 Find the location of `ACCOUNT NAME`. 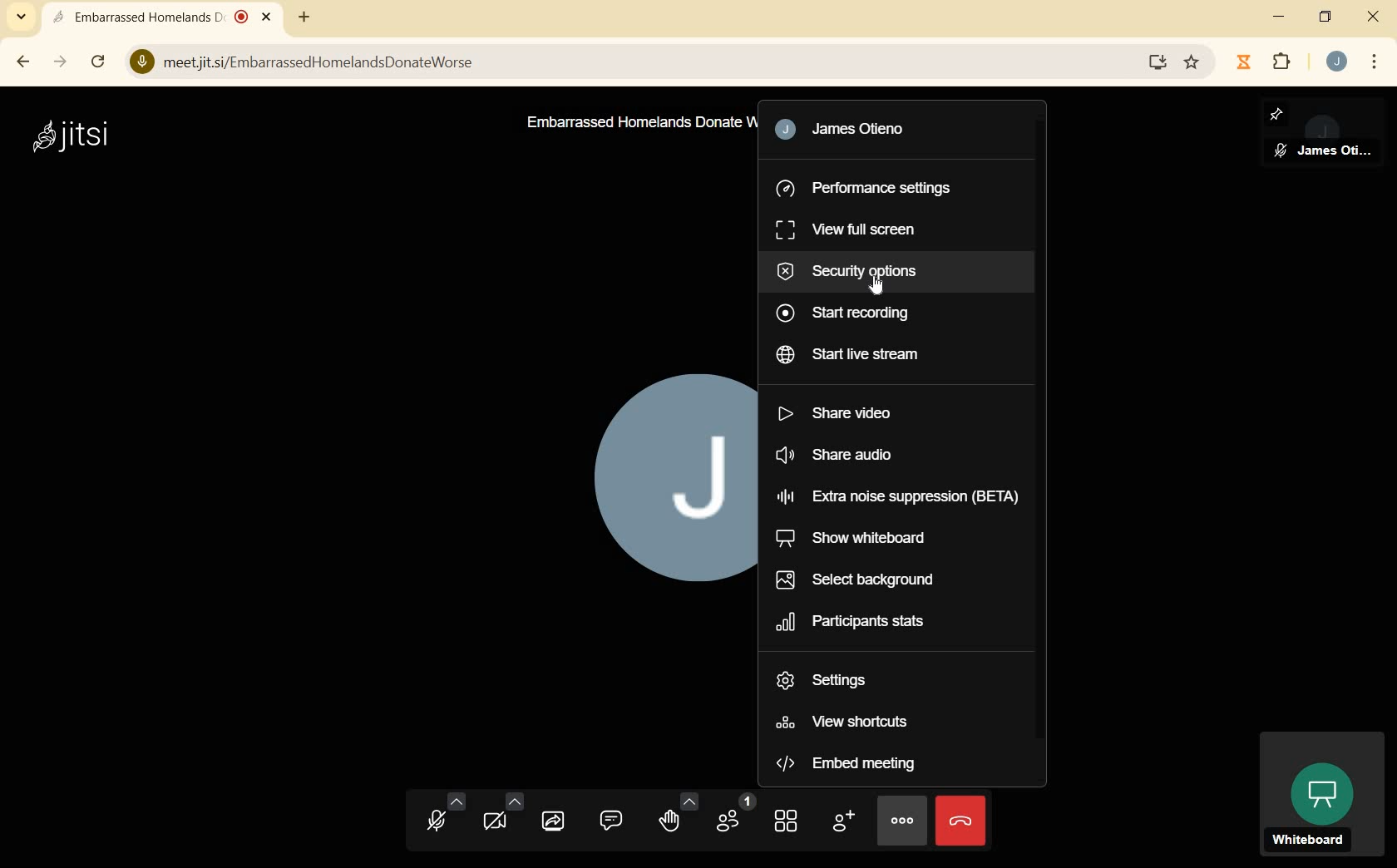

ACCOUNT NAME is located at coordinates (869, 132).